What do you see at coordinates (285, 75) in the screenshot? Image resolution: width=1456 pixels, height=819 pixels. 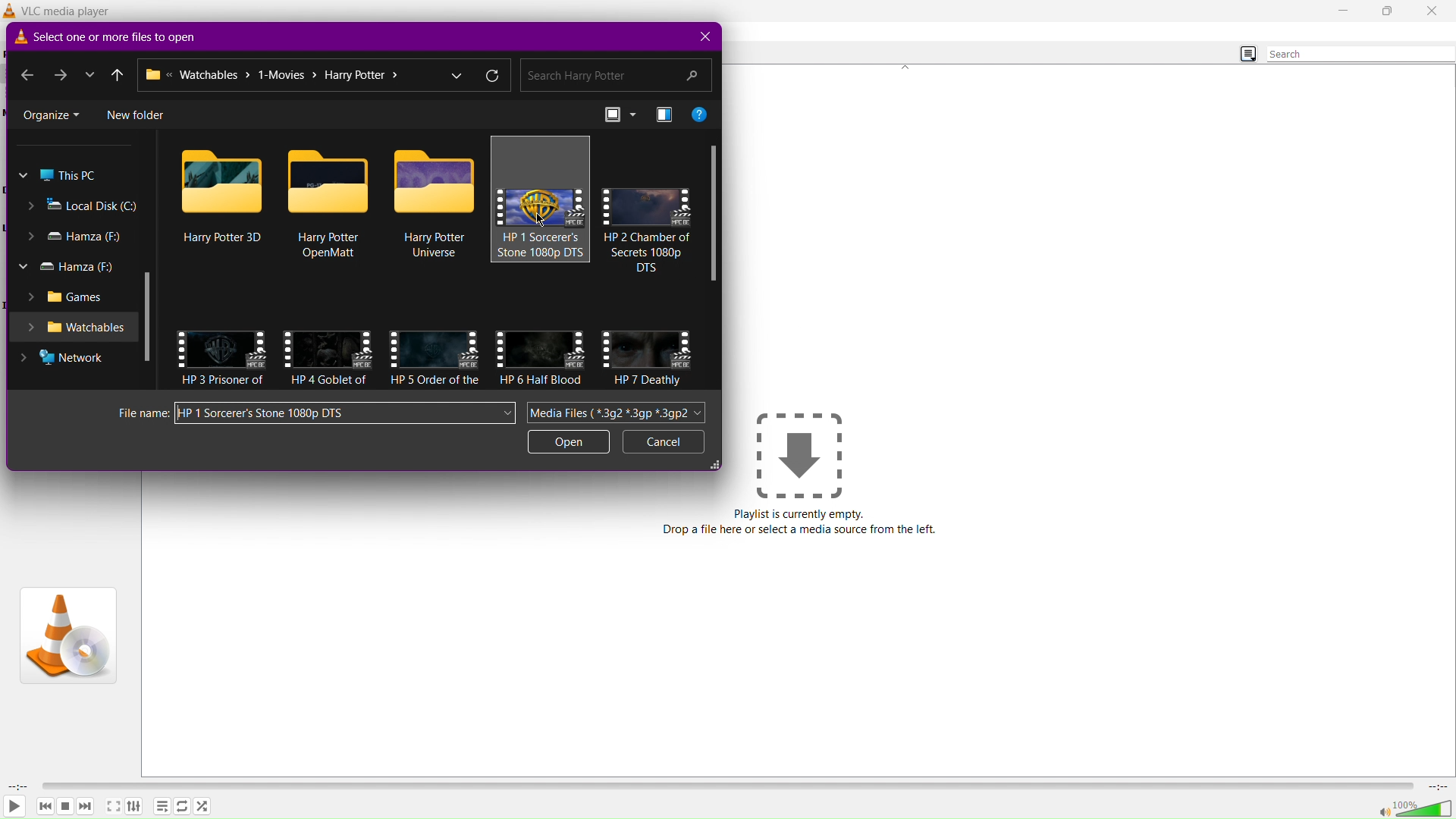 I see `Address Bar` at bounding box center [285, 75].